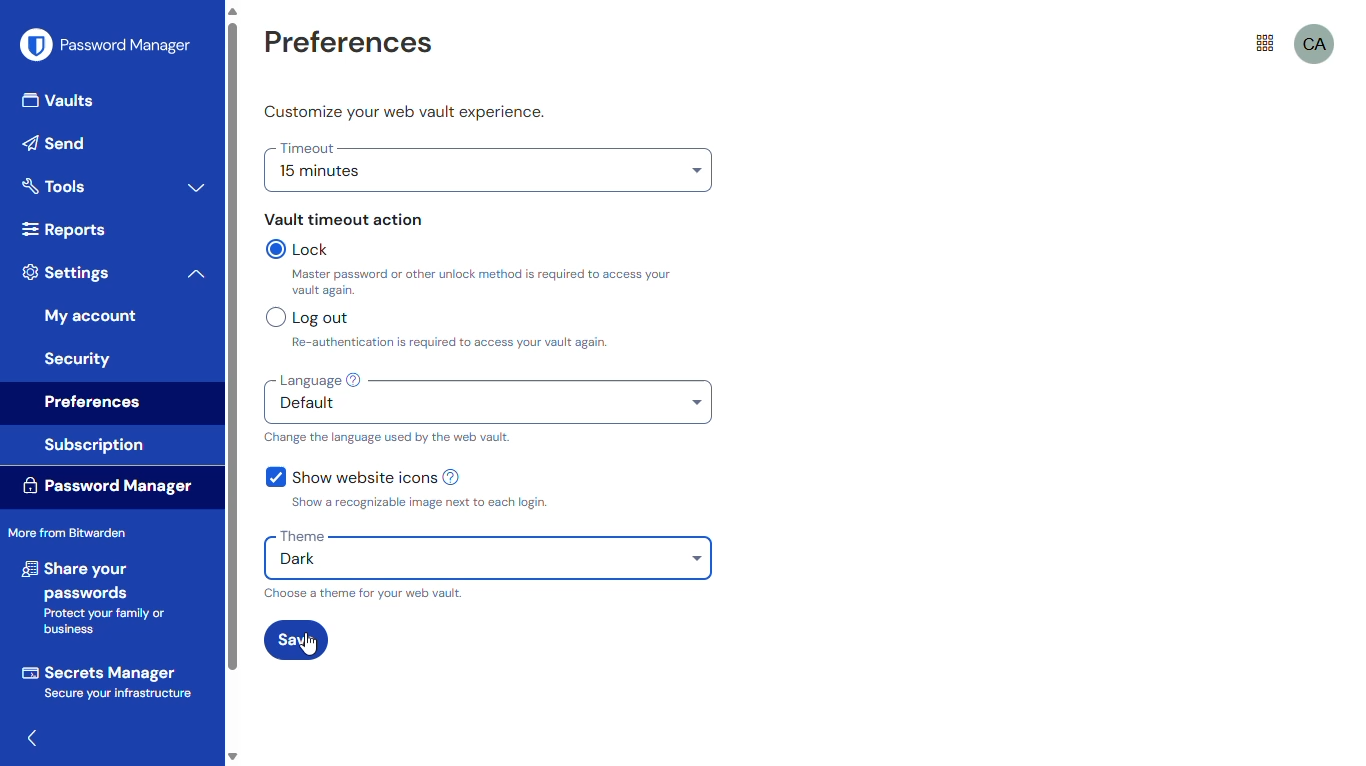 Image resolution: width=1366 pixels, height=766 pixels. I want to click on Re-authentication is required to access your vault again., so click(533, 342).